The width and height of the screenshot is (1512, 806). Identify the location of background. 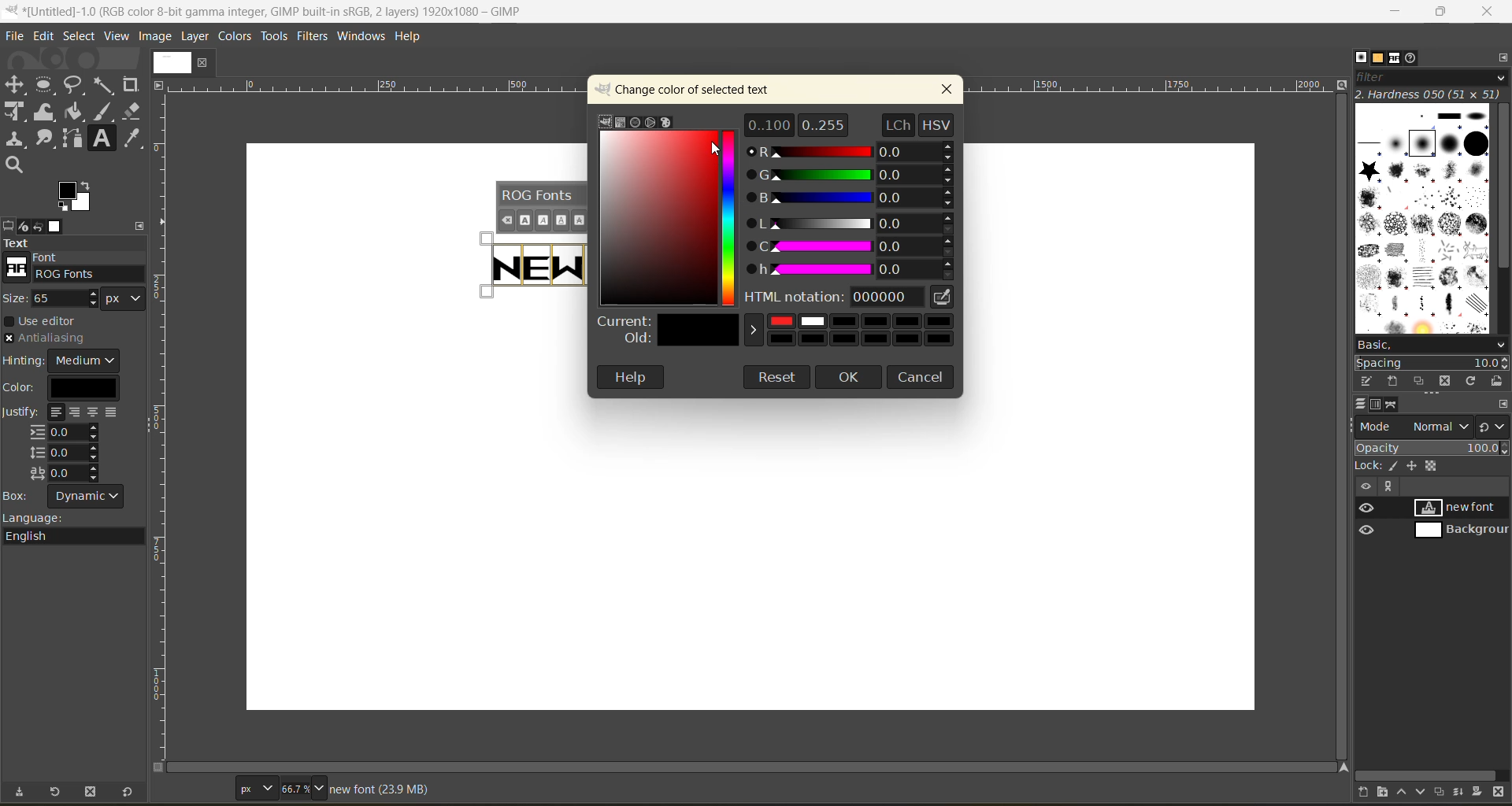
(1459, 531).